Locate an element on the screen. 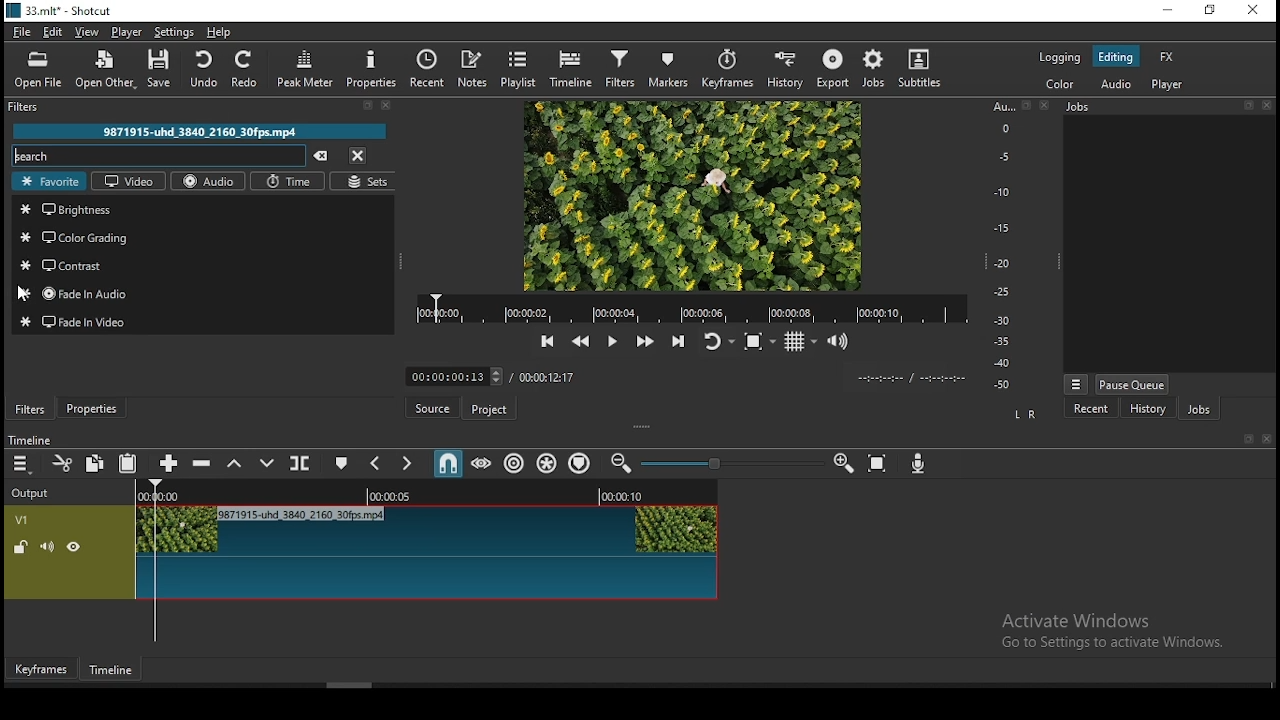 The height and width of the screenshot is (720, 1280). ripple markers is located at coordinates (546, 462).